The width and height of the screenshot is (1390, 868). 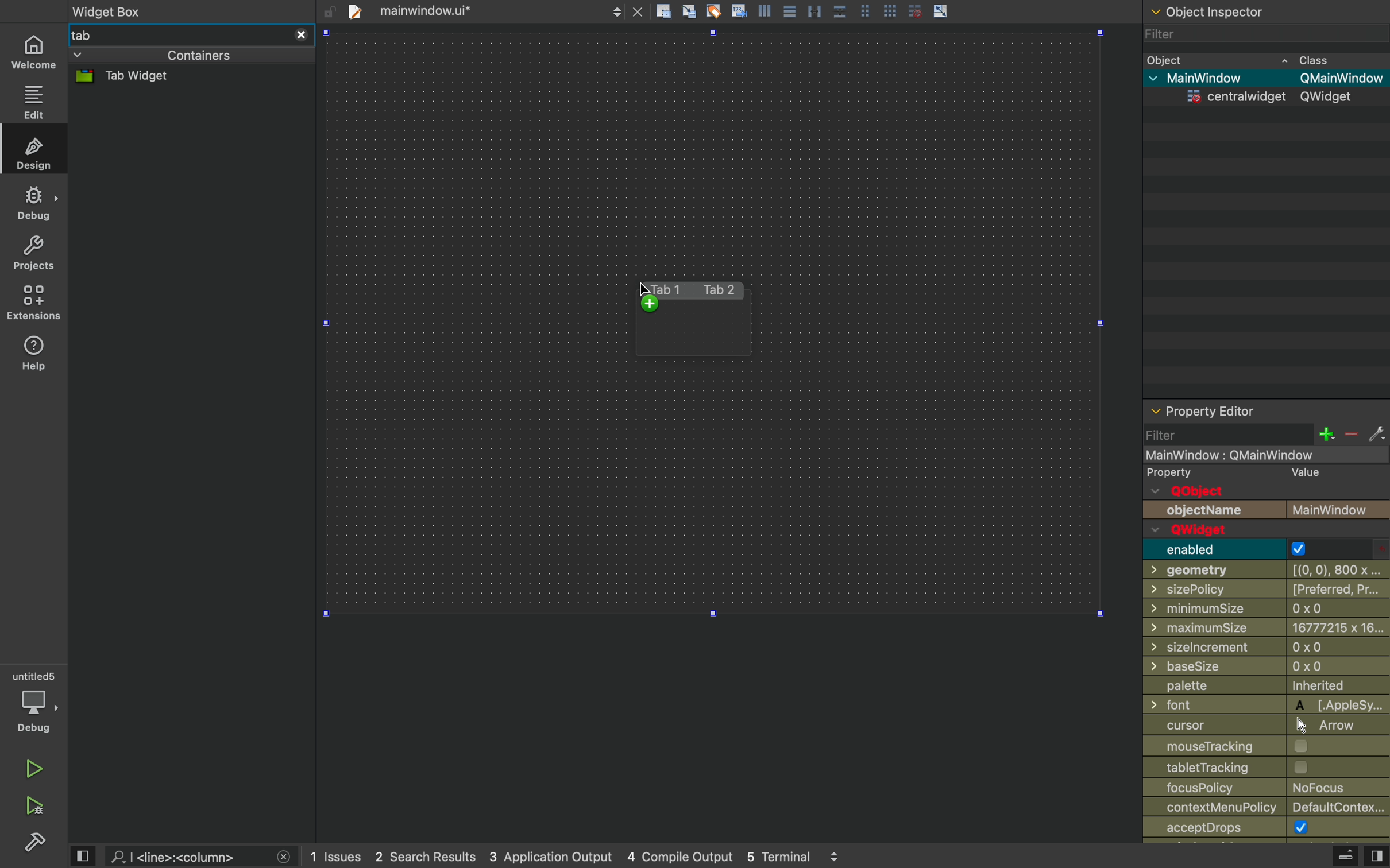 I want to click on contextmenupolicy, so click(x=1270, y=809).